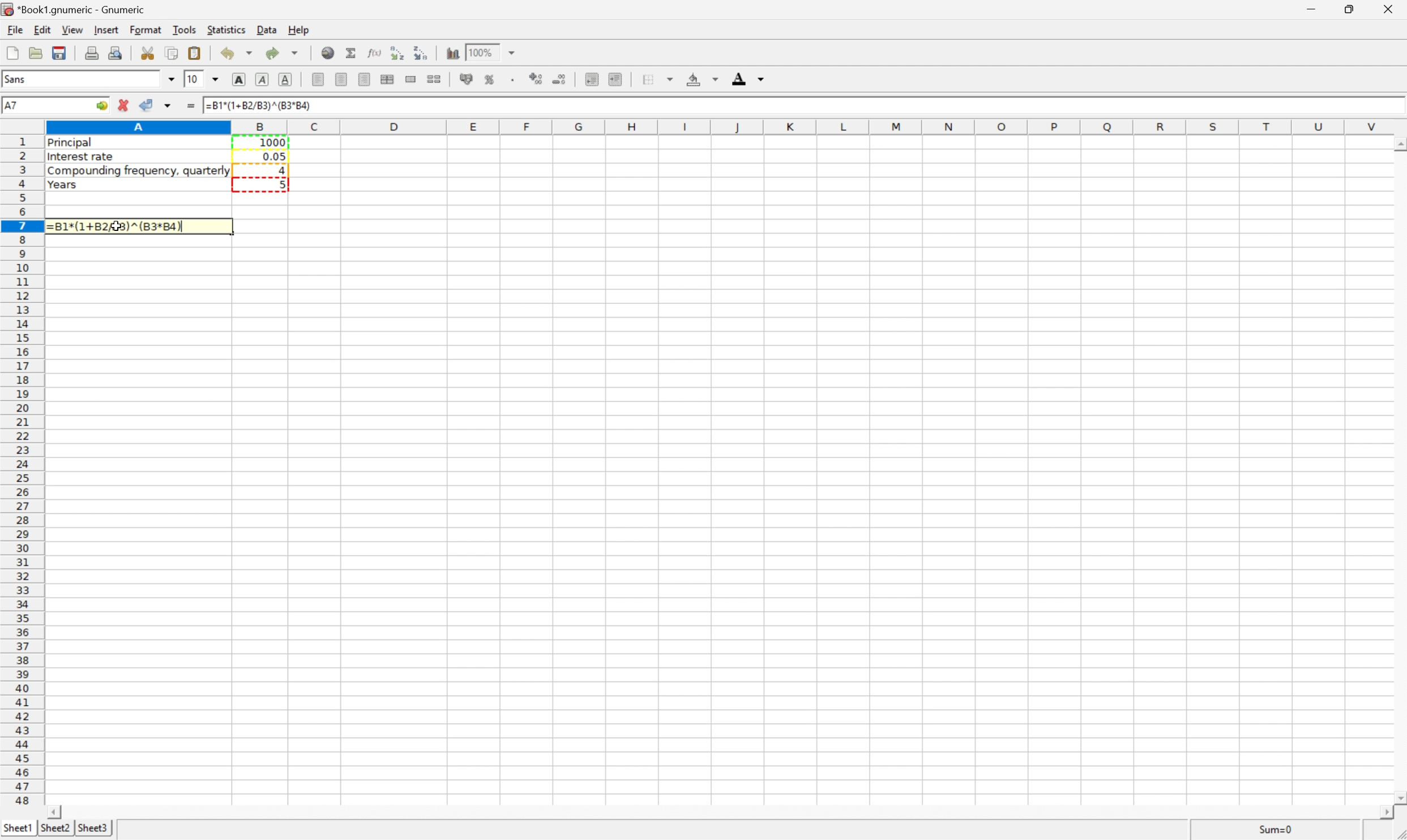  Describe the element at coordinates (352, 52) in the screenshot. I see `sum in current cell` at that location.